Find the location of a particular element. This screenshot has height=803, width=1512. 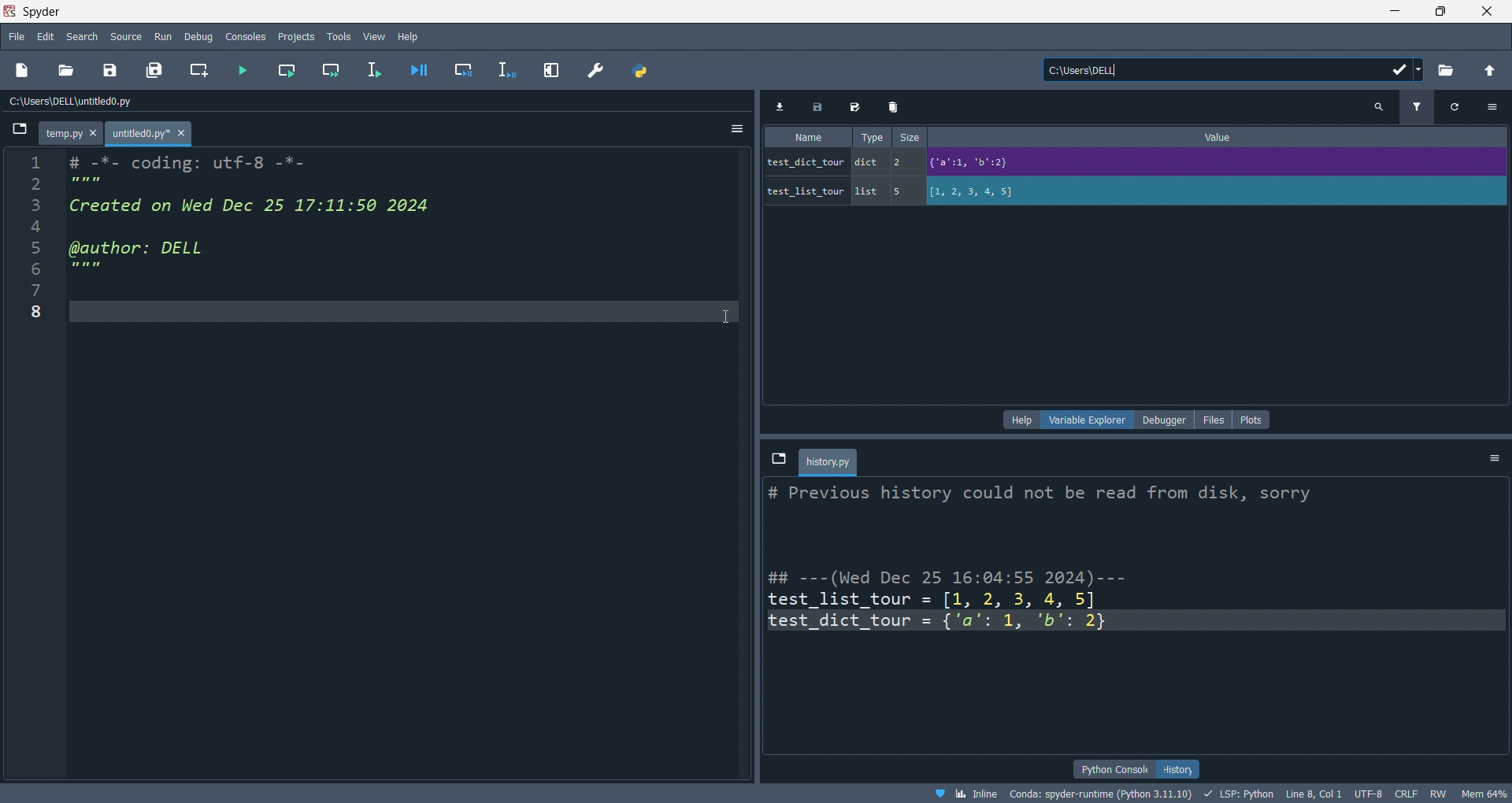

tab is located at coordinates (831, 461).